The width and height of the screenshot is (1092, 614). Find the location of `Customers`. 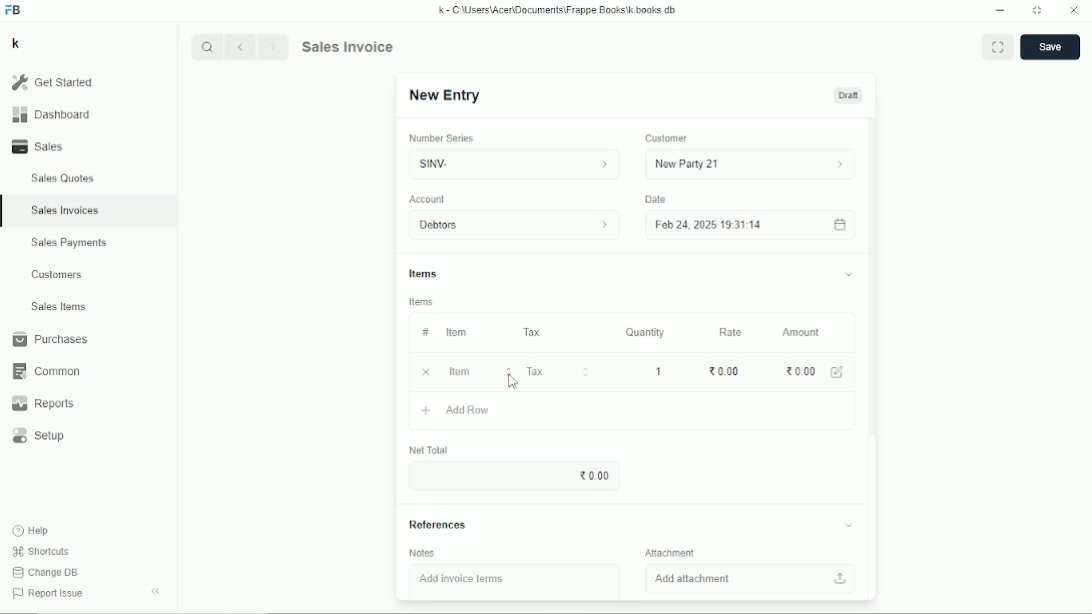

Customers is located at coordinates (58, 274).